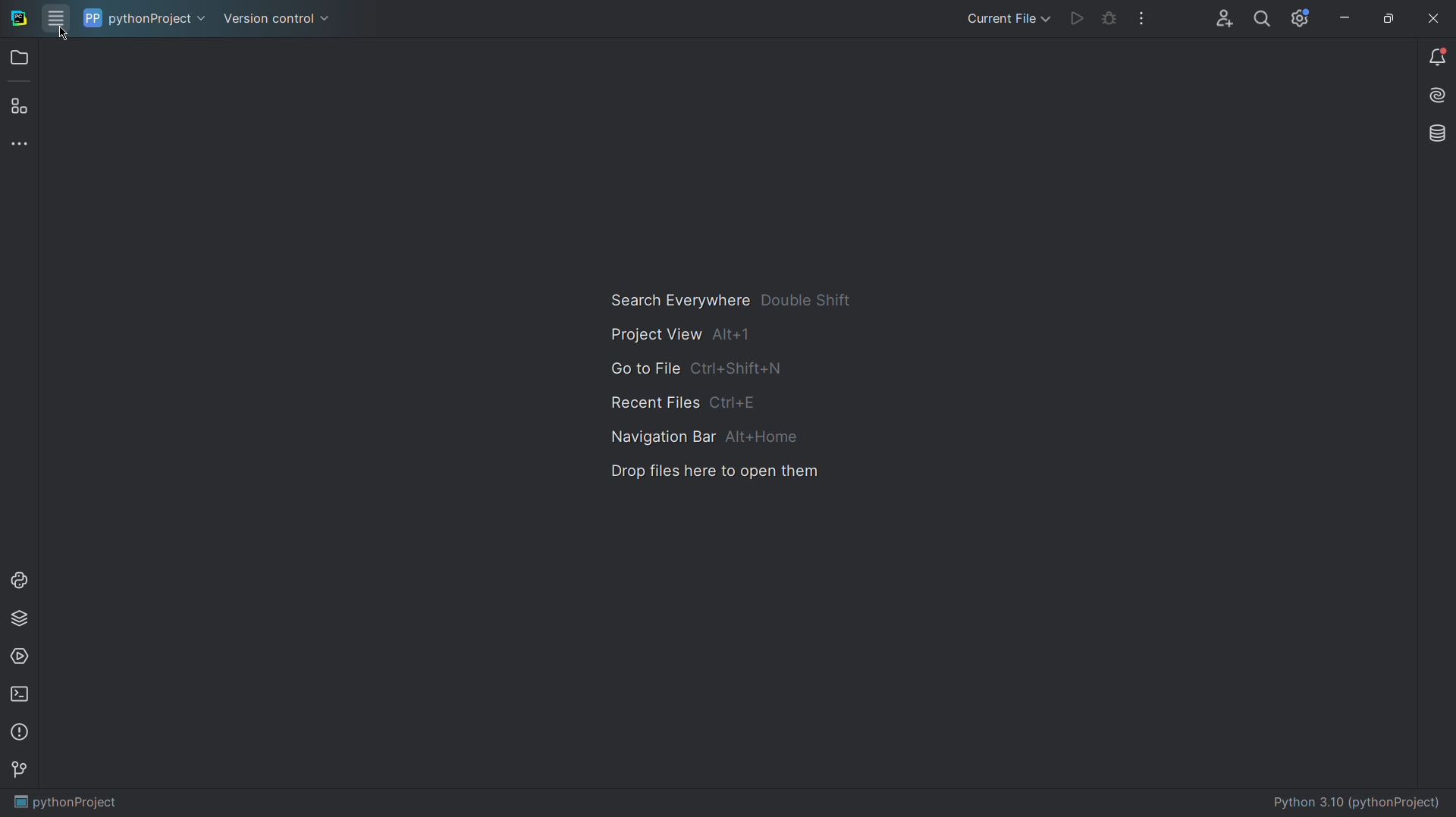  What do you see at coordinates (689, 339) in the screenshot?
I see `Project View` at bounding box center [689, 339].